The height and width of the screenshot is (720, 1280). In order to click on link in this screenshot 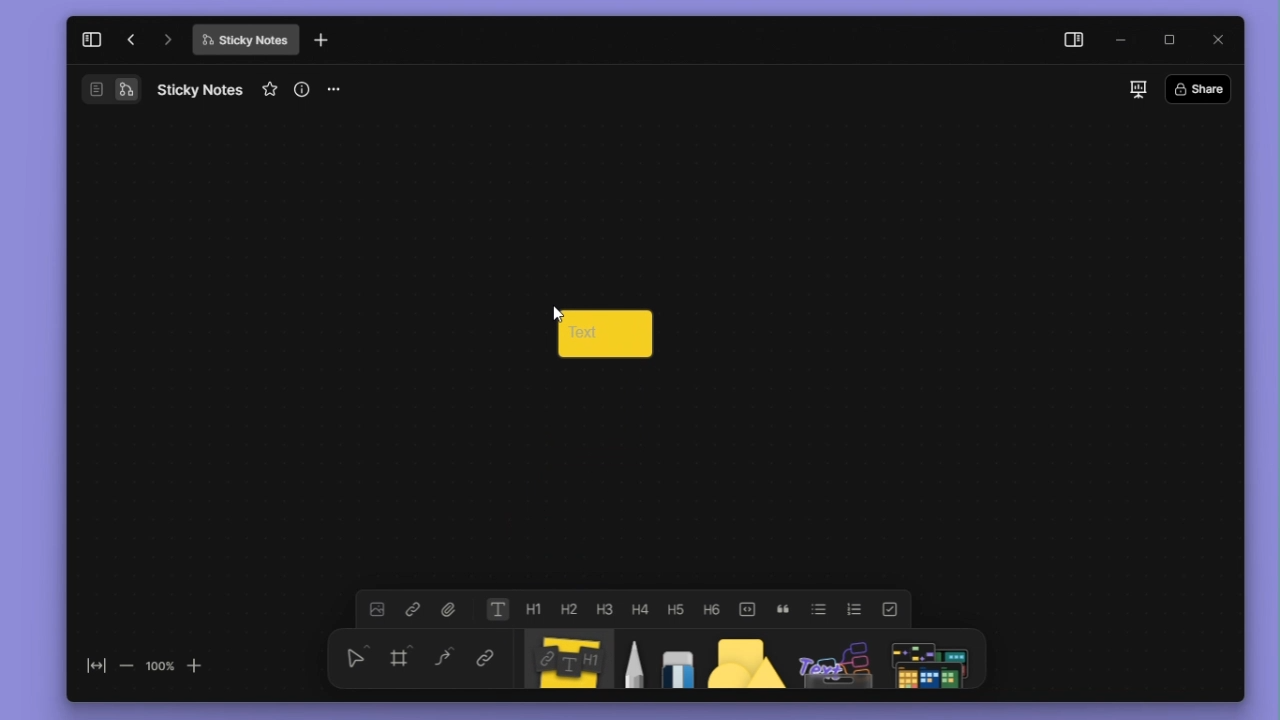, I will do `click(418, 611)`.